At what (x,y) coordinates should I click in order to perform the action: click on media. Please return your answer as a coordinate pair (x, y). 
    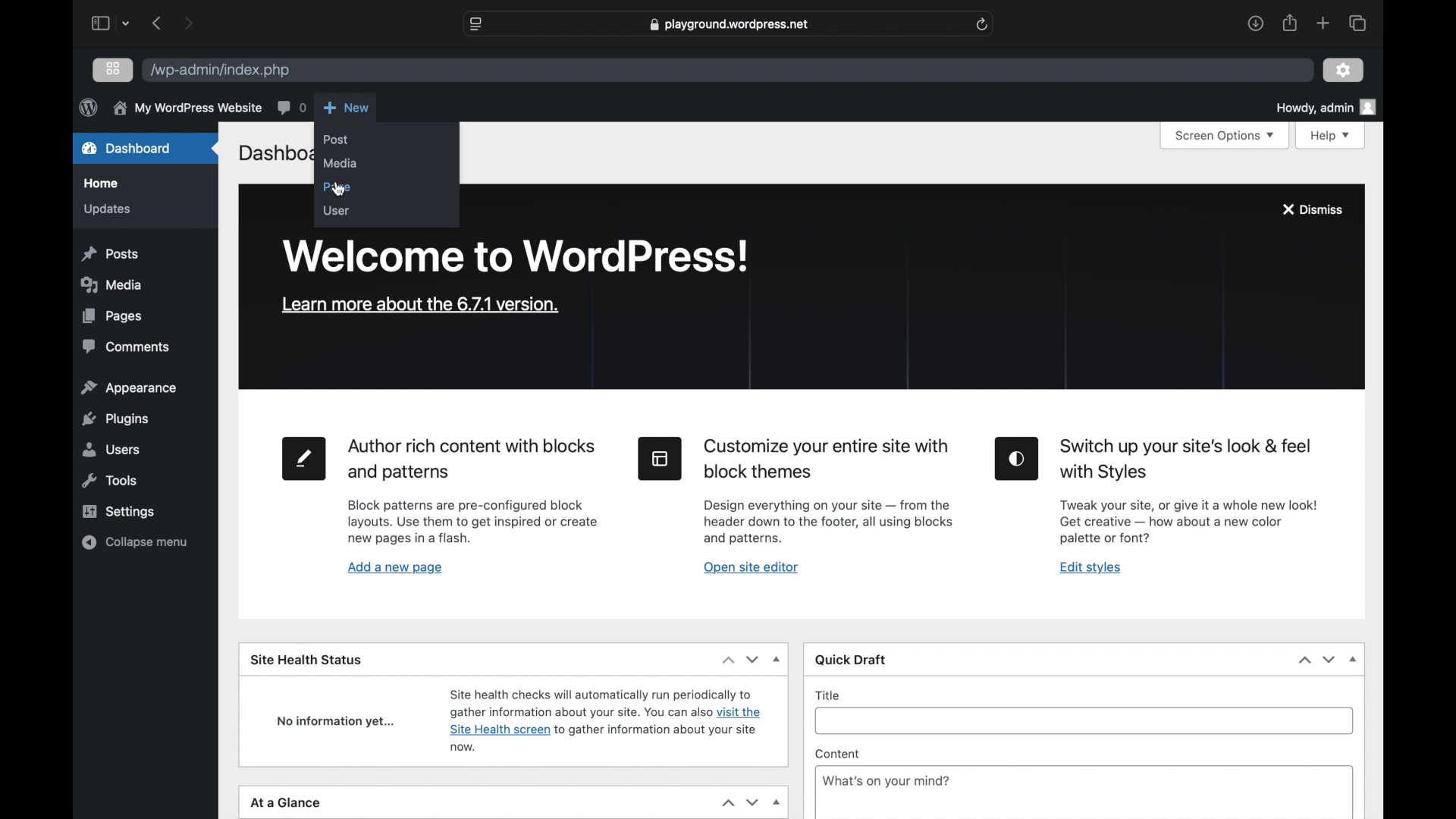
    Looking at the image, I should click on (340, 165).